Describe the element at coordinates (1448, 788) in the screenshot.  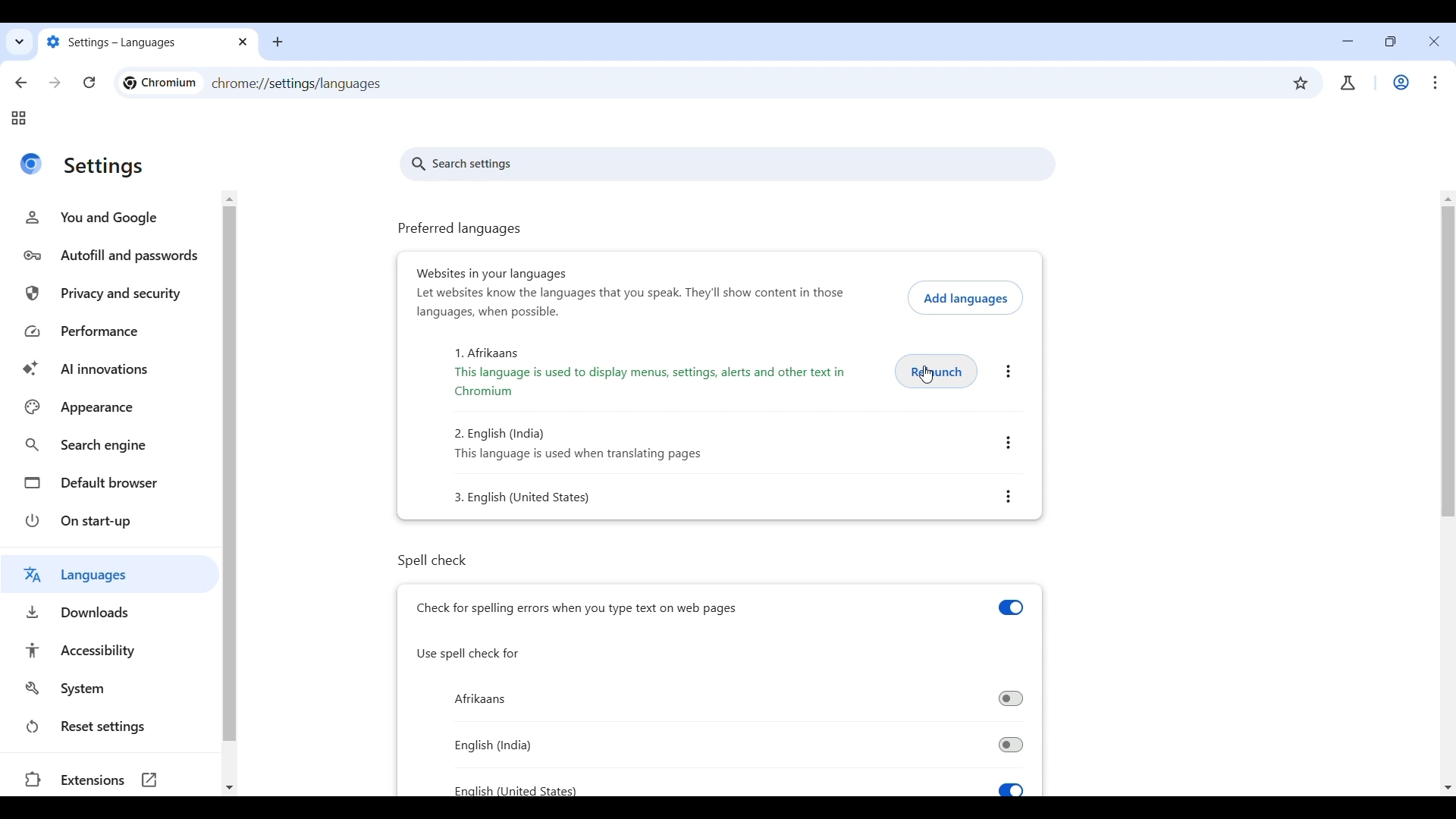
I see `Quick slide to bottom` at that location.